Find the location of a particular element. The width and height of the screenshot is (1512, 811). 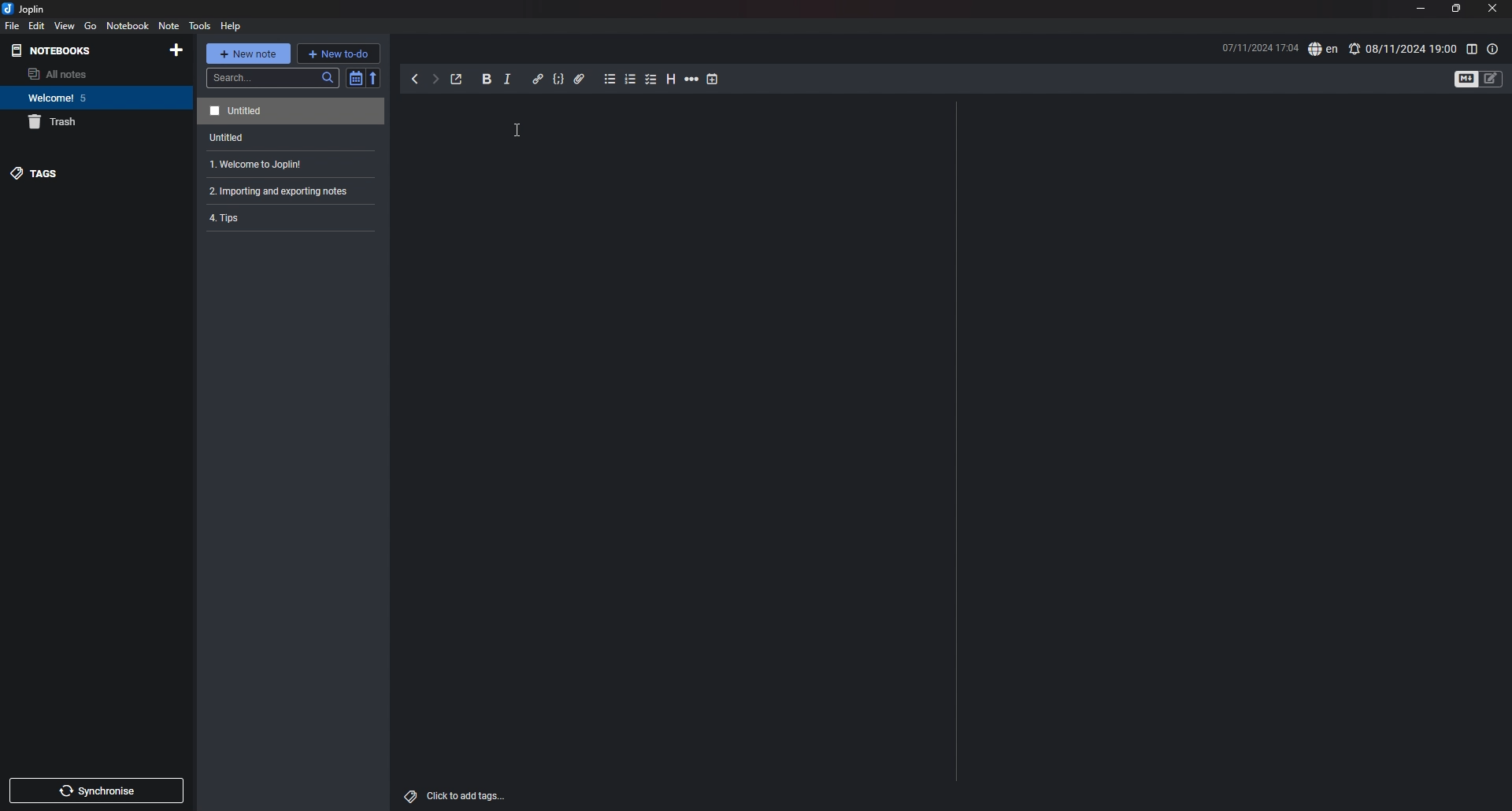

notebook is located at coordinates (90, 97).